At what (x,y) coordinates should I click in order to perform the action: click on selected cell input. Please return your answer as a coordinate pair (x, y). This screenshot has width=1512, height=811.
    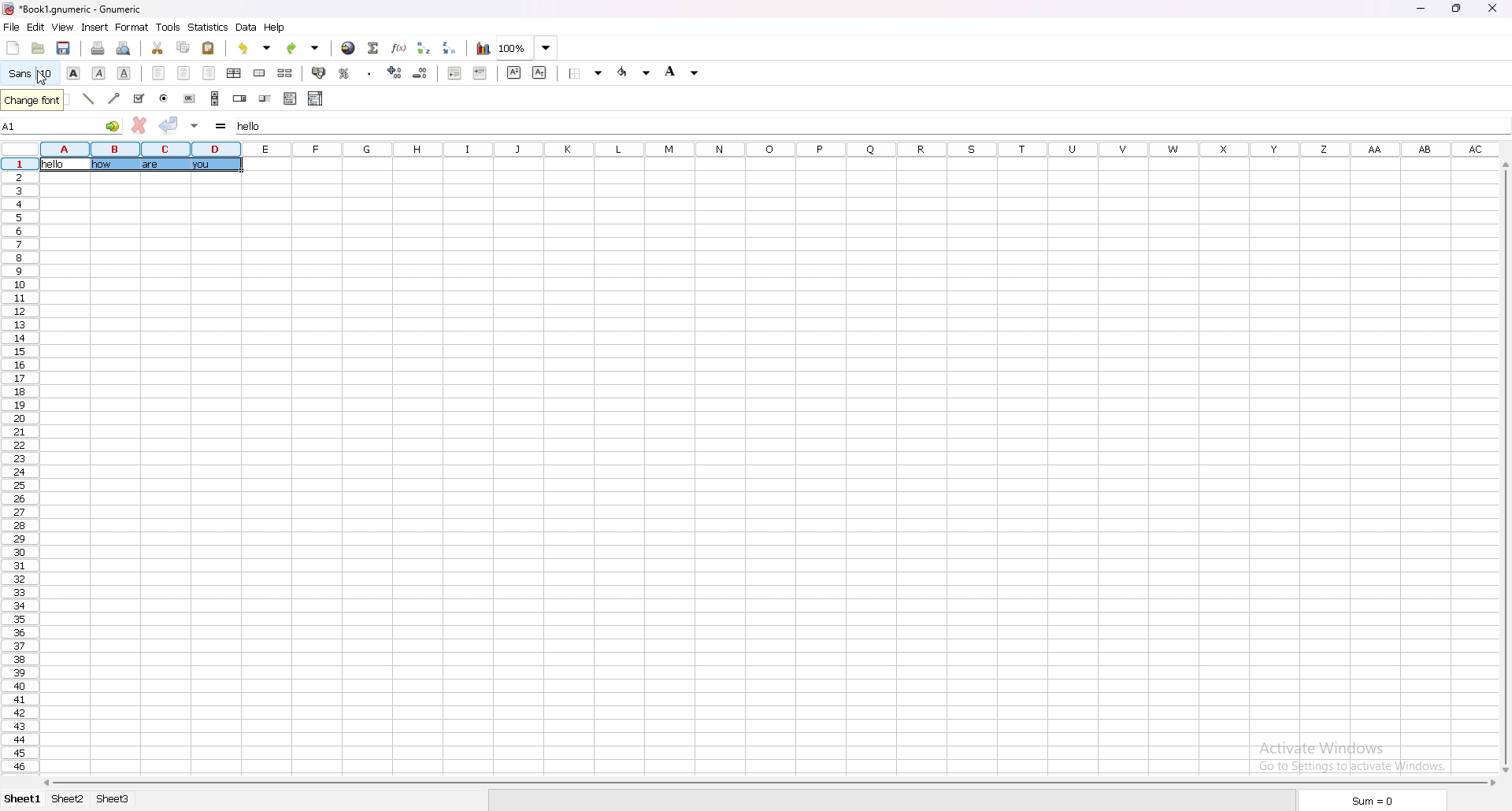
    Looking at the image, I should click on (260, 125).